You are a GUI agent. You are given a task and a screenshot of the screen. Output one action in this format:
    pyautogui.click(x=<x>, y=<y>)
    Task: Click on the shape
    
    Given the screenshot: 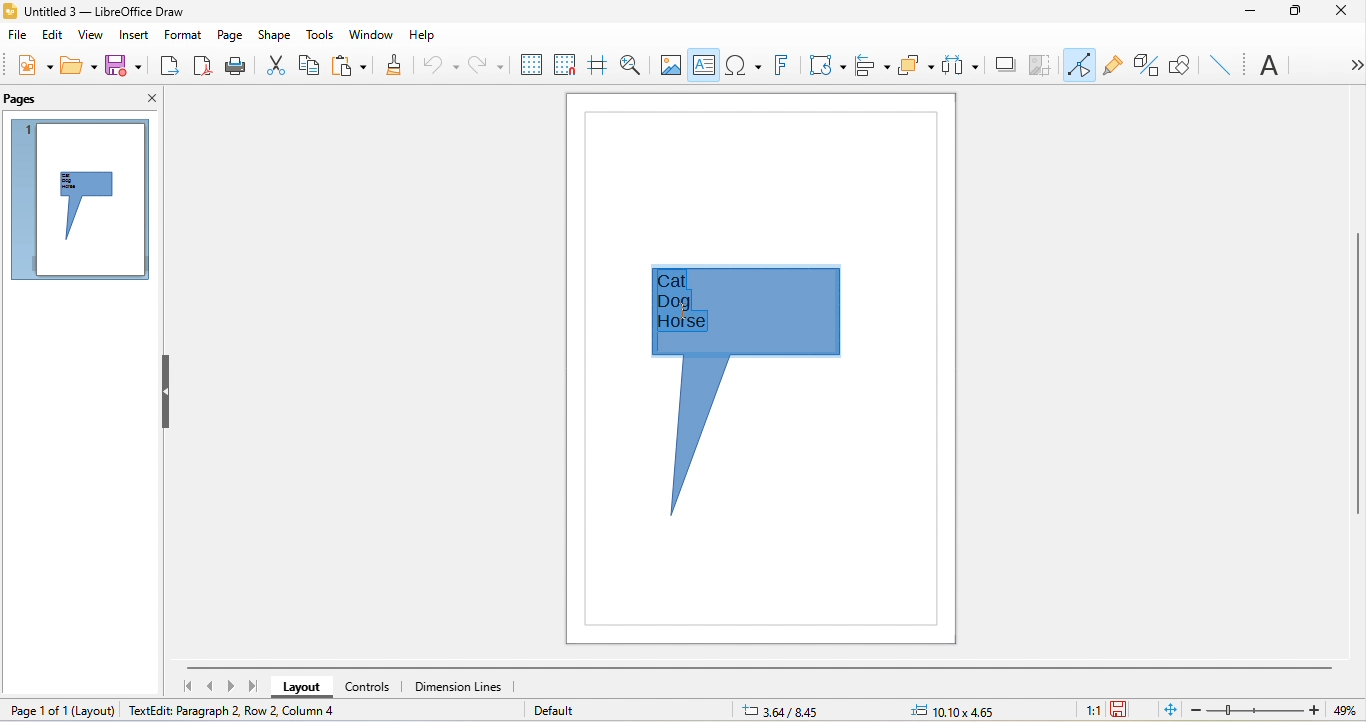 What is the action you would take?
    pyautogui.click(x=276, y=35)
    